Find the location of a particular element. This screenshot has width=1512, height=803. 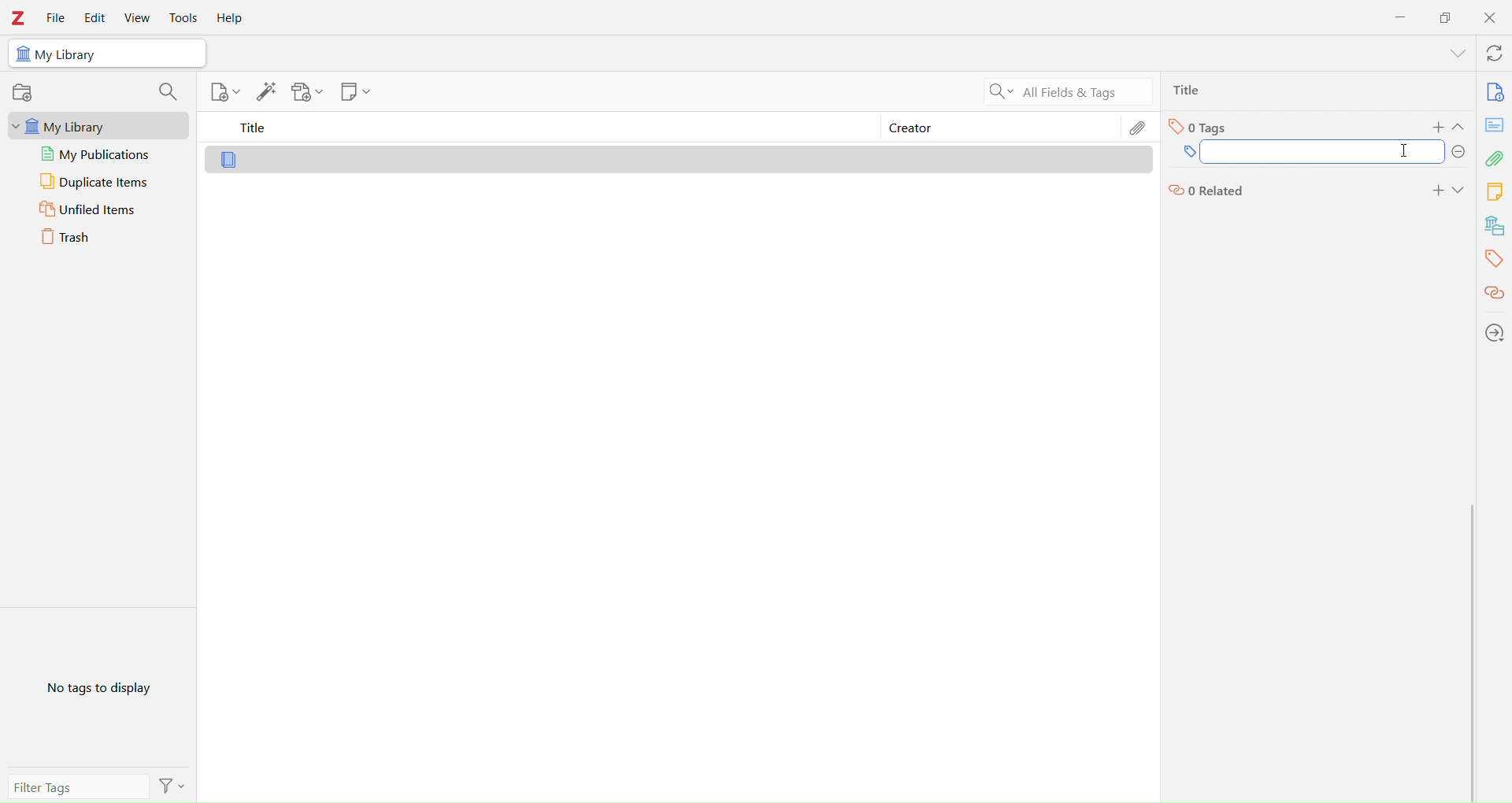

I cursor is located at coordinates (1414, 153).